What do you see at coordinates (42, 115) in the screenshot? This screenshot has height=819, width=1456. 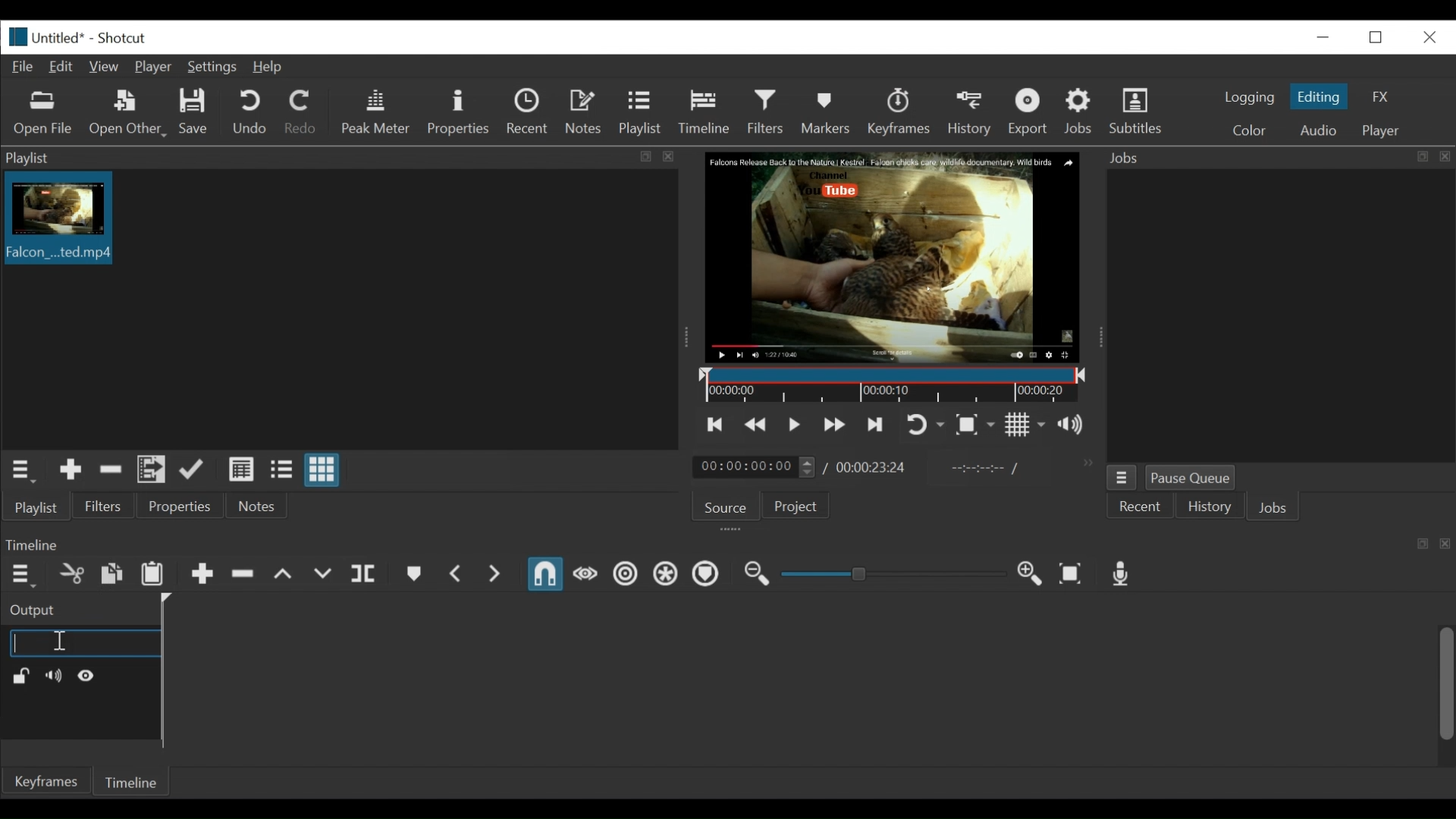 I see `Open file` at bounding box center [42, 115].